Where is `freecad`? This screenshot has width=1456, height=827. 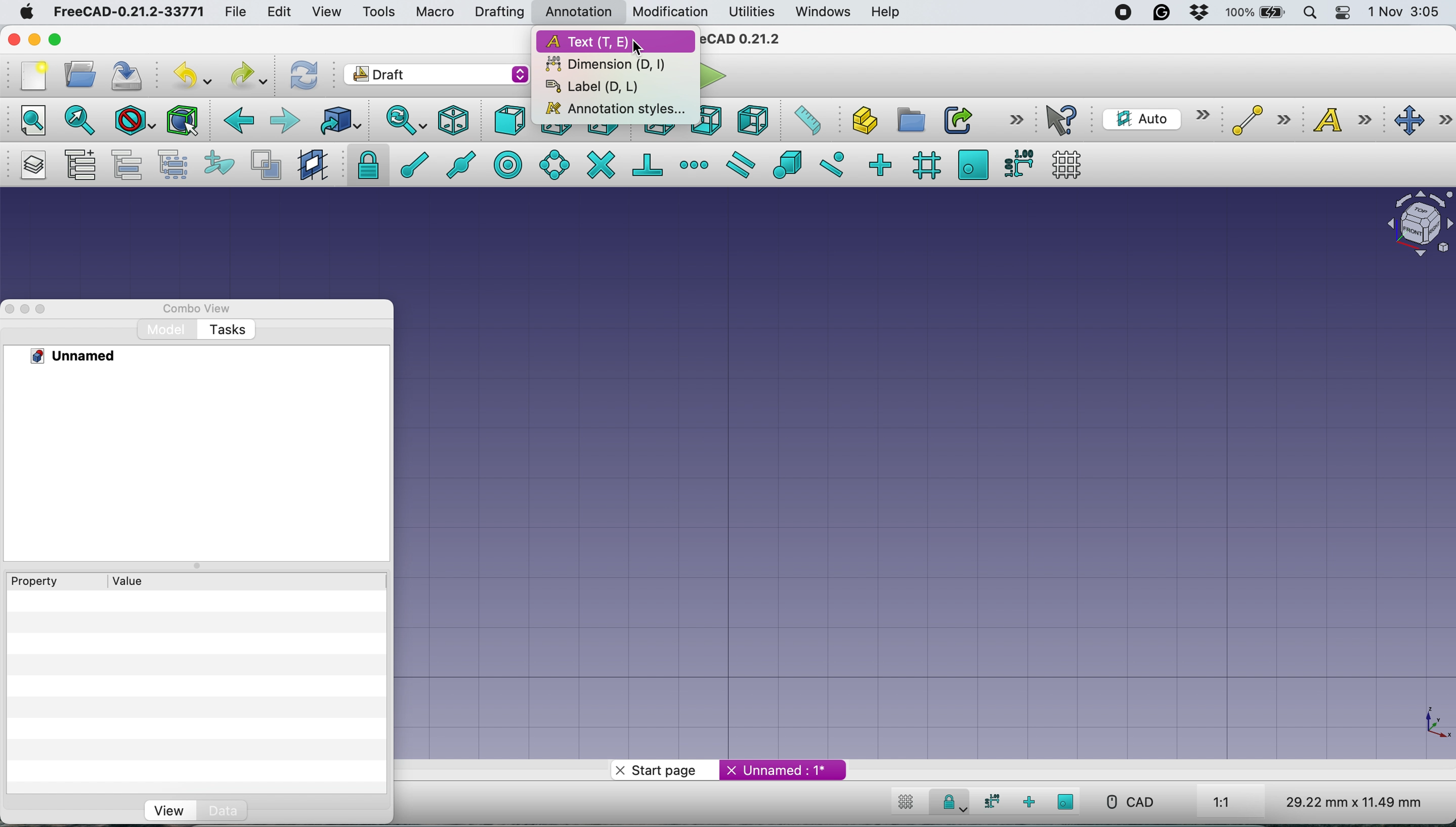
freecad is located at coordinates (126, 13).